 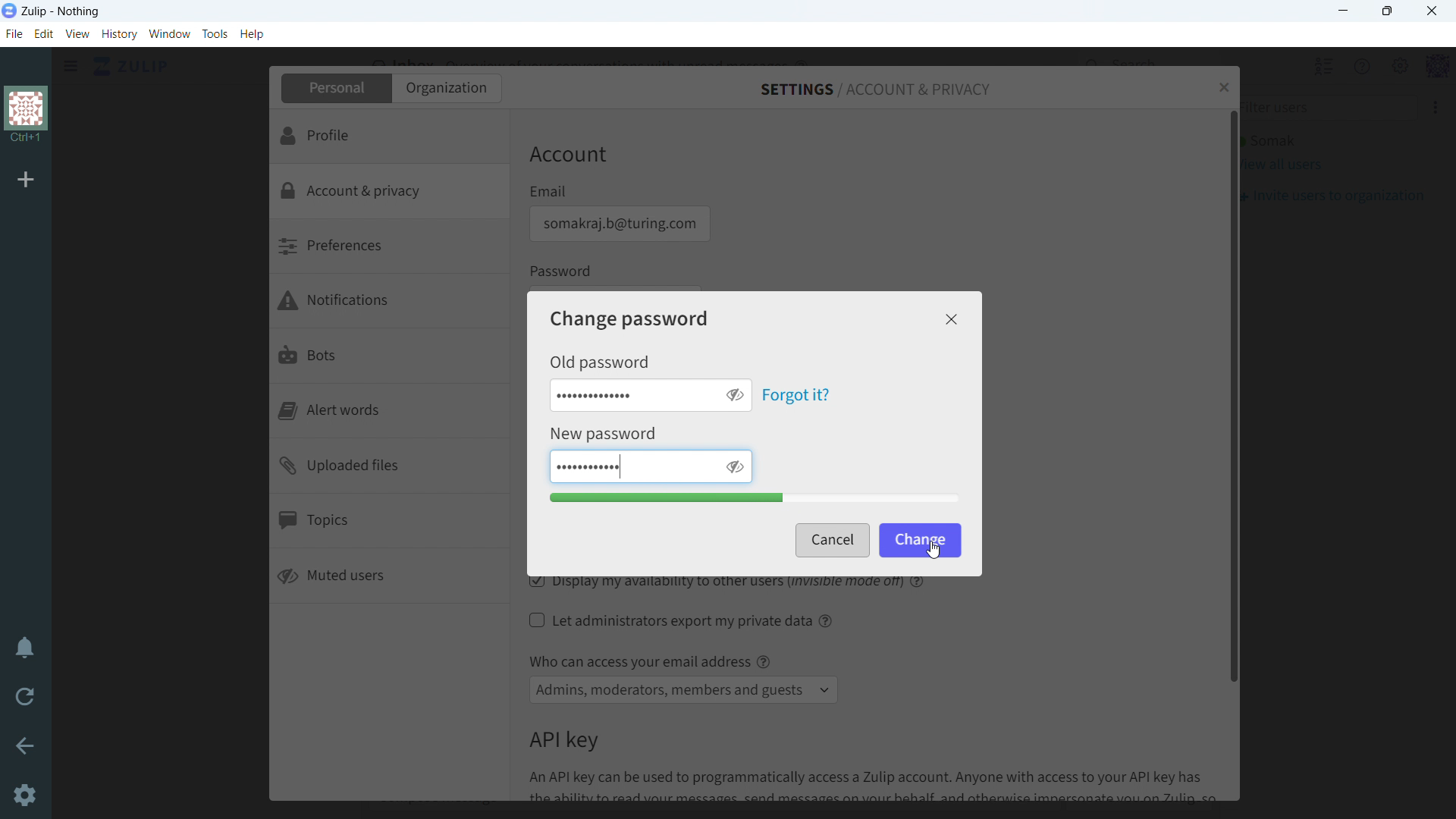 What do you see at coordinates (27, 116) in the screenshot?
I see `organization` at bounding box center [27, 116].